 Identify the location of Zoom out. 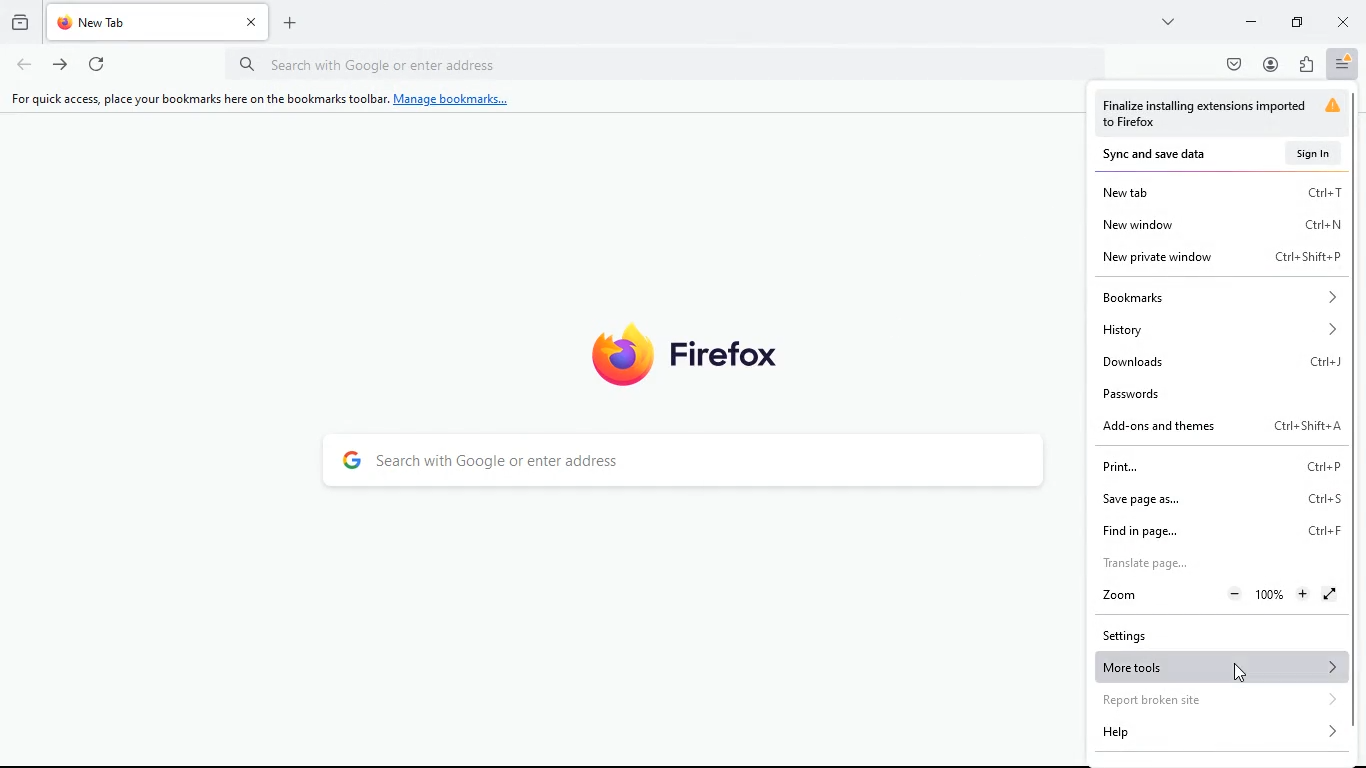
(1233, 594).